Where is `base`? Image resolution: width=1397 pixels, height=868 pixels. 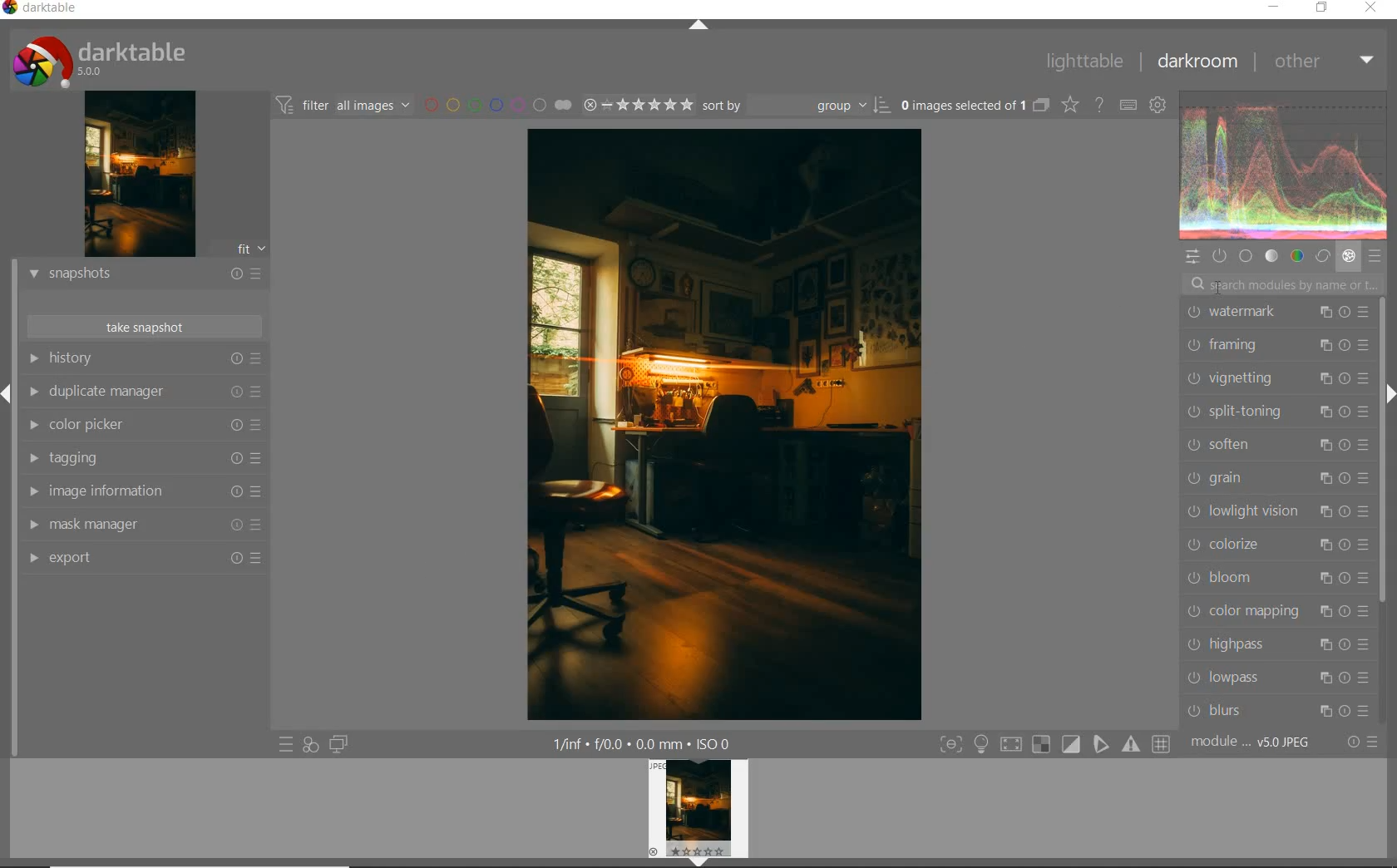 base is located at coordinates (1246, 256).